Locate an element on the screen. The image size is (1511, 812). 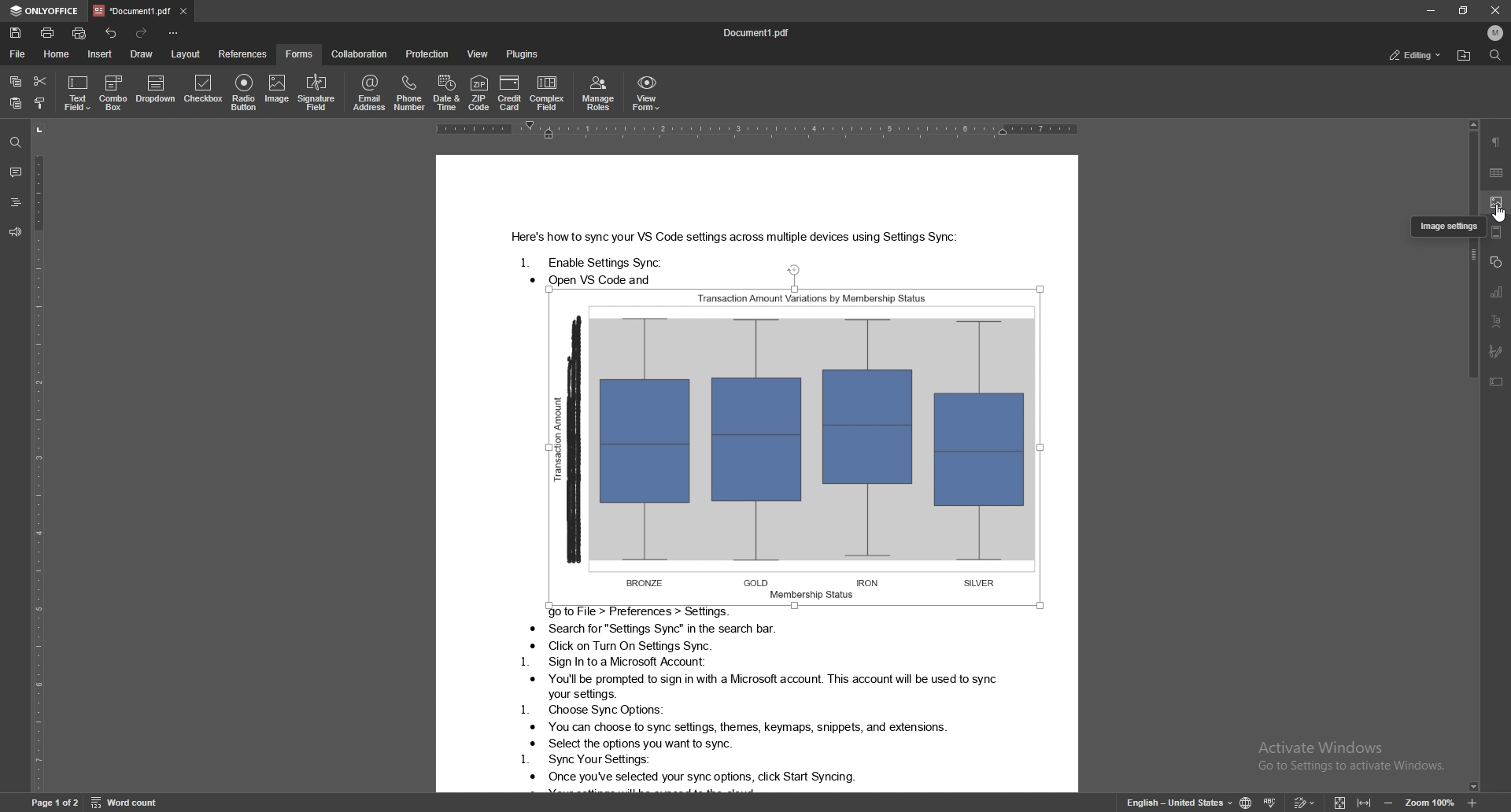
draw is located at coordinates (143, 54).